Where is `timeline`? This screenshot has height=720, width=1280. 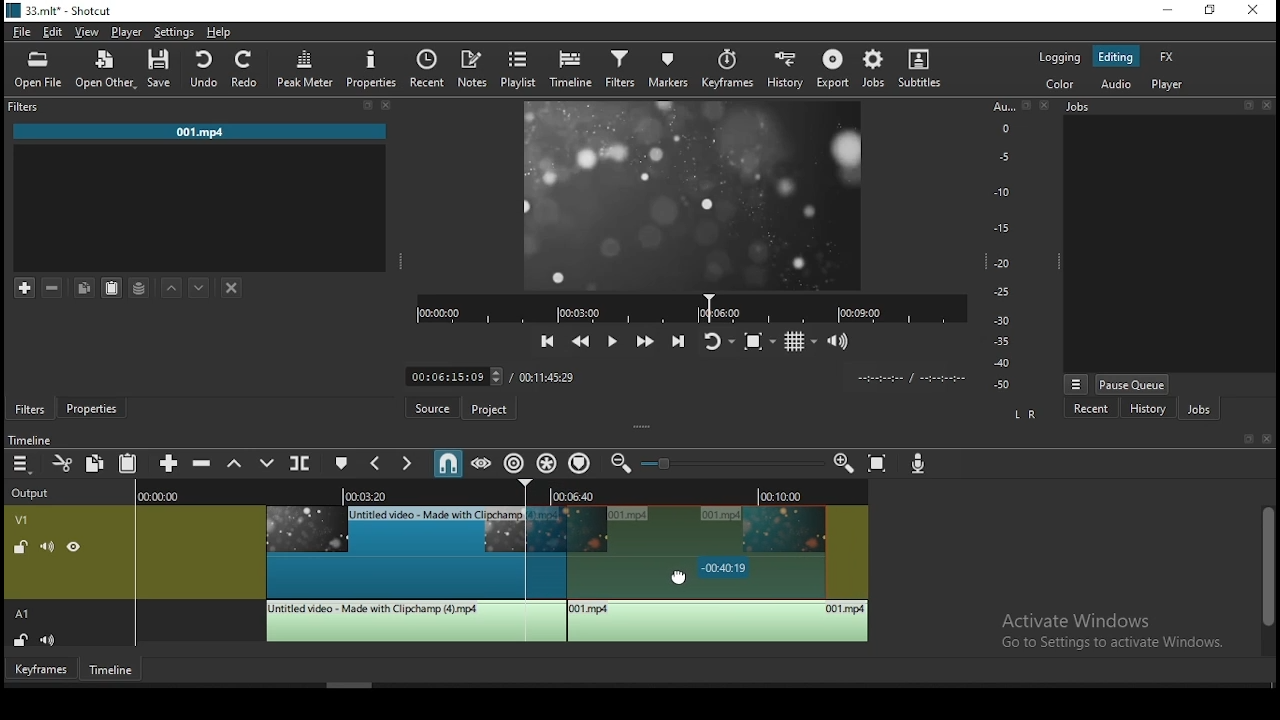
timeline is located at coordinates (33, 436).